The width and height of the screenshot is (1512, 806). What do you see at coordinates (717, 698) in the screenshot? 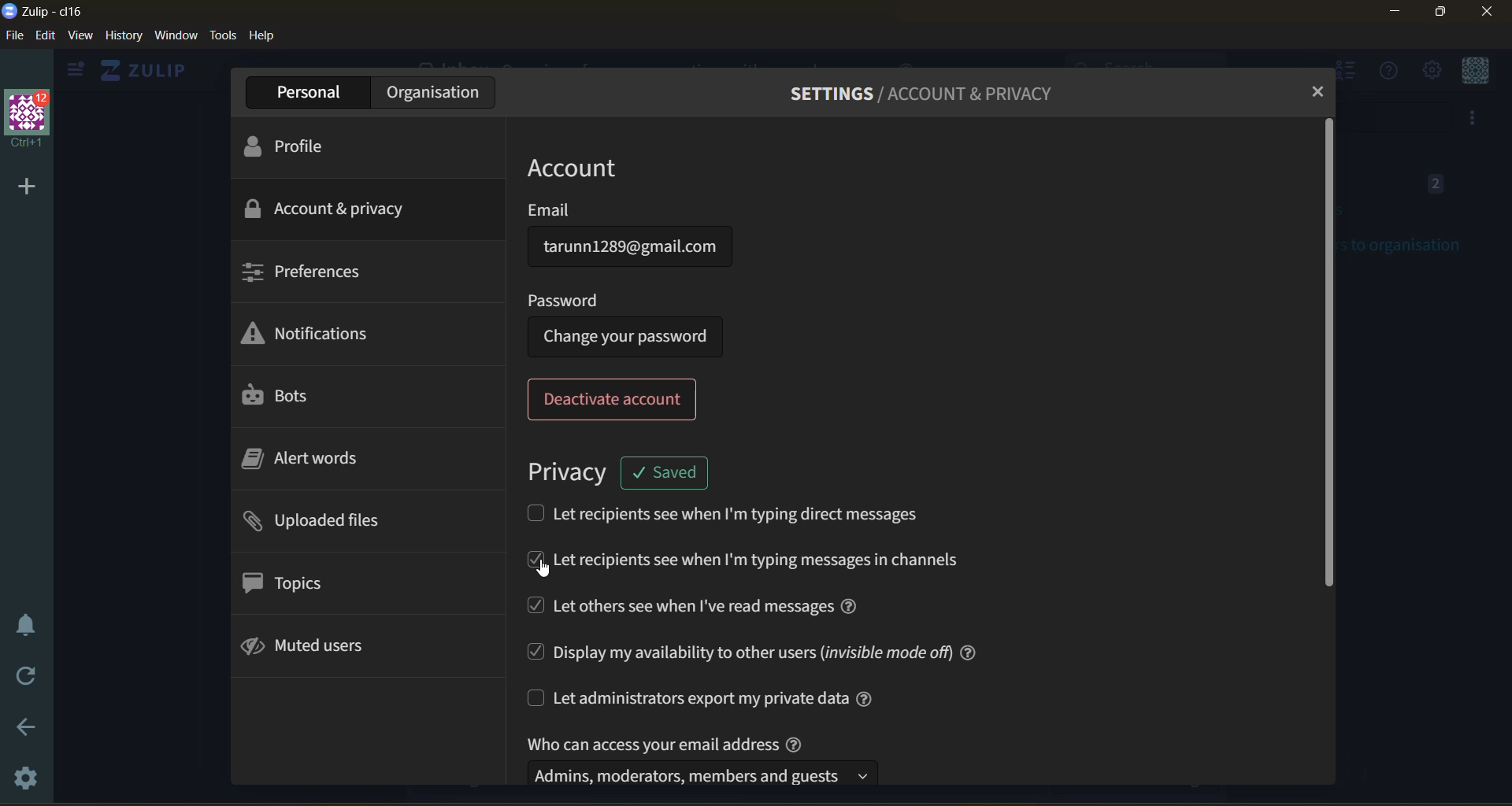
I see `let administrators export my private data` at bounding box center [717, 698].